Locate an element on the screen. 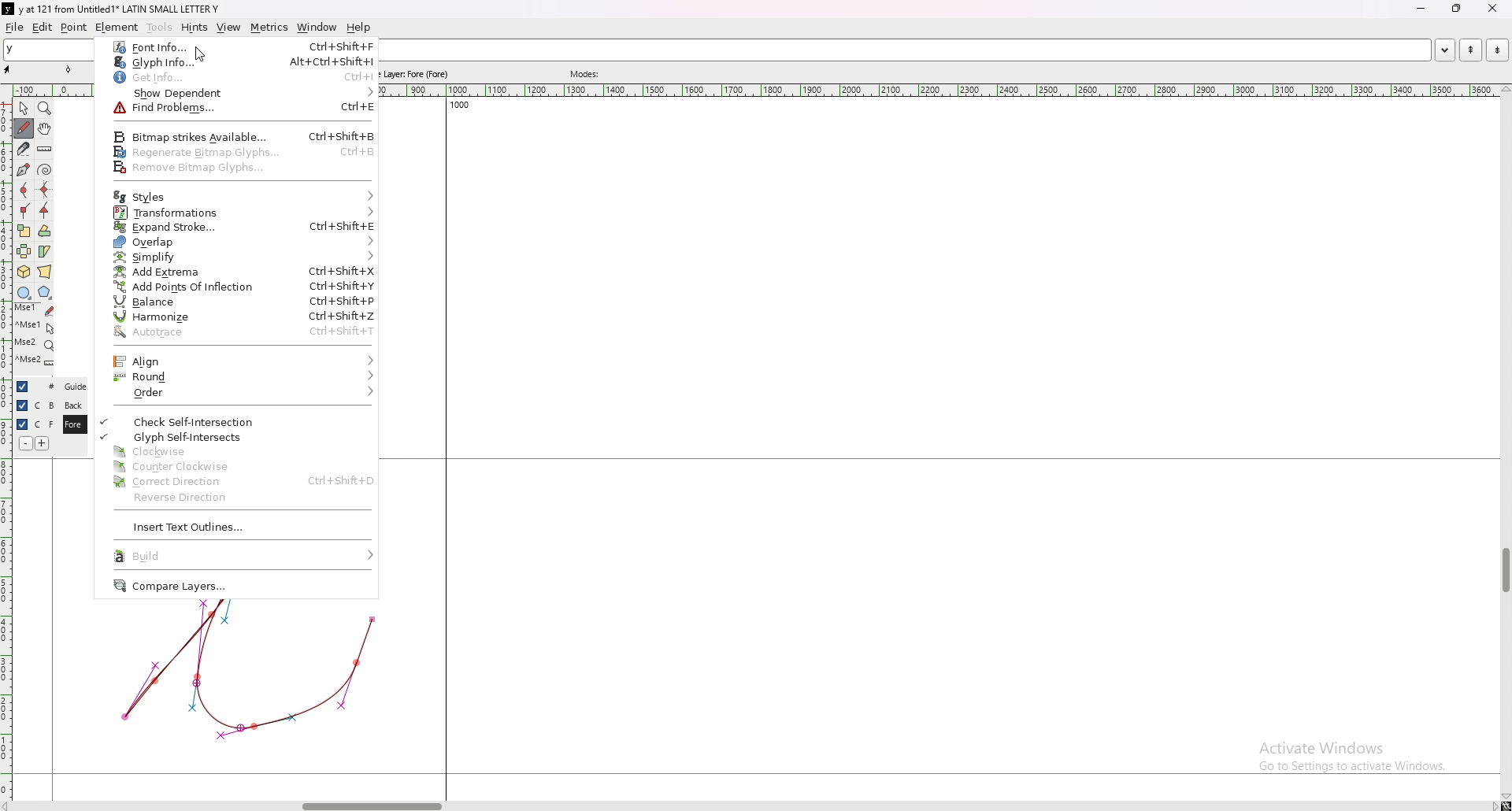 This screenshot has width=1512, height=811. compare layers is located at coordinates (239, 586).